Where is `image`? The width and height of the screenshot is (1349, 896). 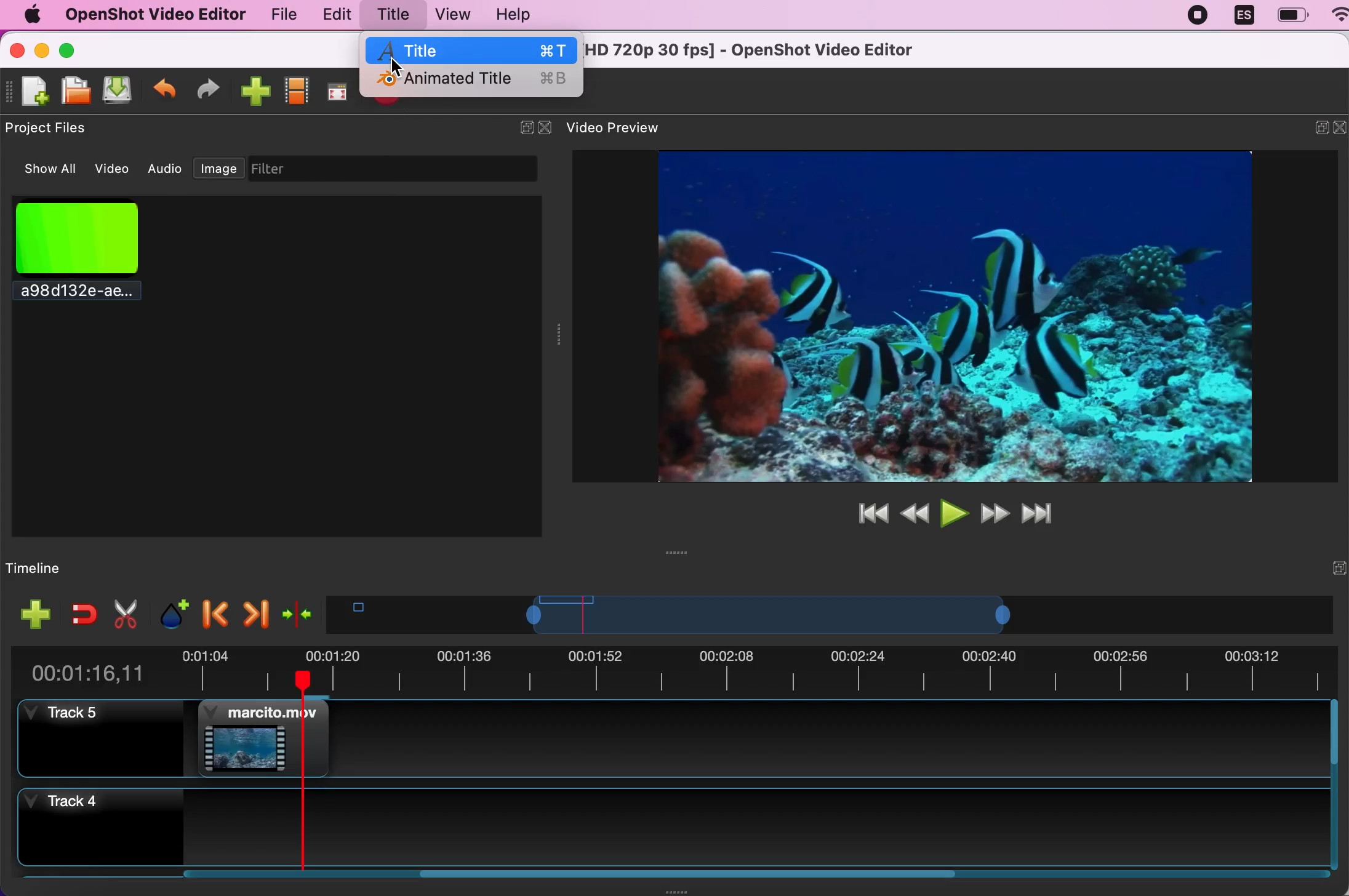 image is located at coordinates (219, 166).